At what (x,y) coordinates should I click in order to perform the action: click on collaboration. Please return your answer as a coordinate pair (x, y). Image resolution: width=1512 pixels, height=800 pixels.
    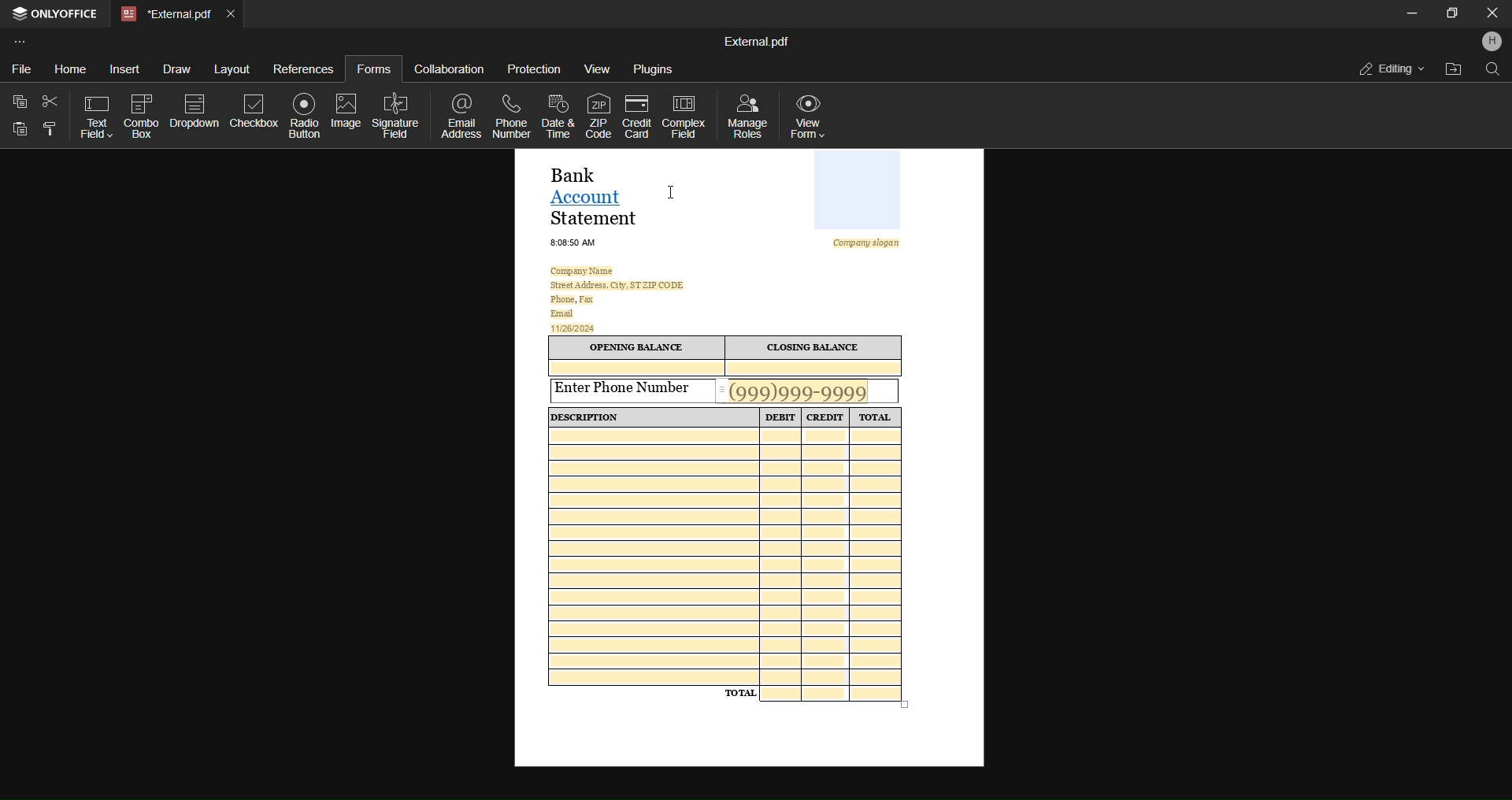
    Looking at the image, I should click on (450, 67).